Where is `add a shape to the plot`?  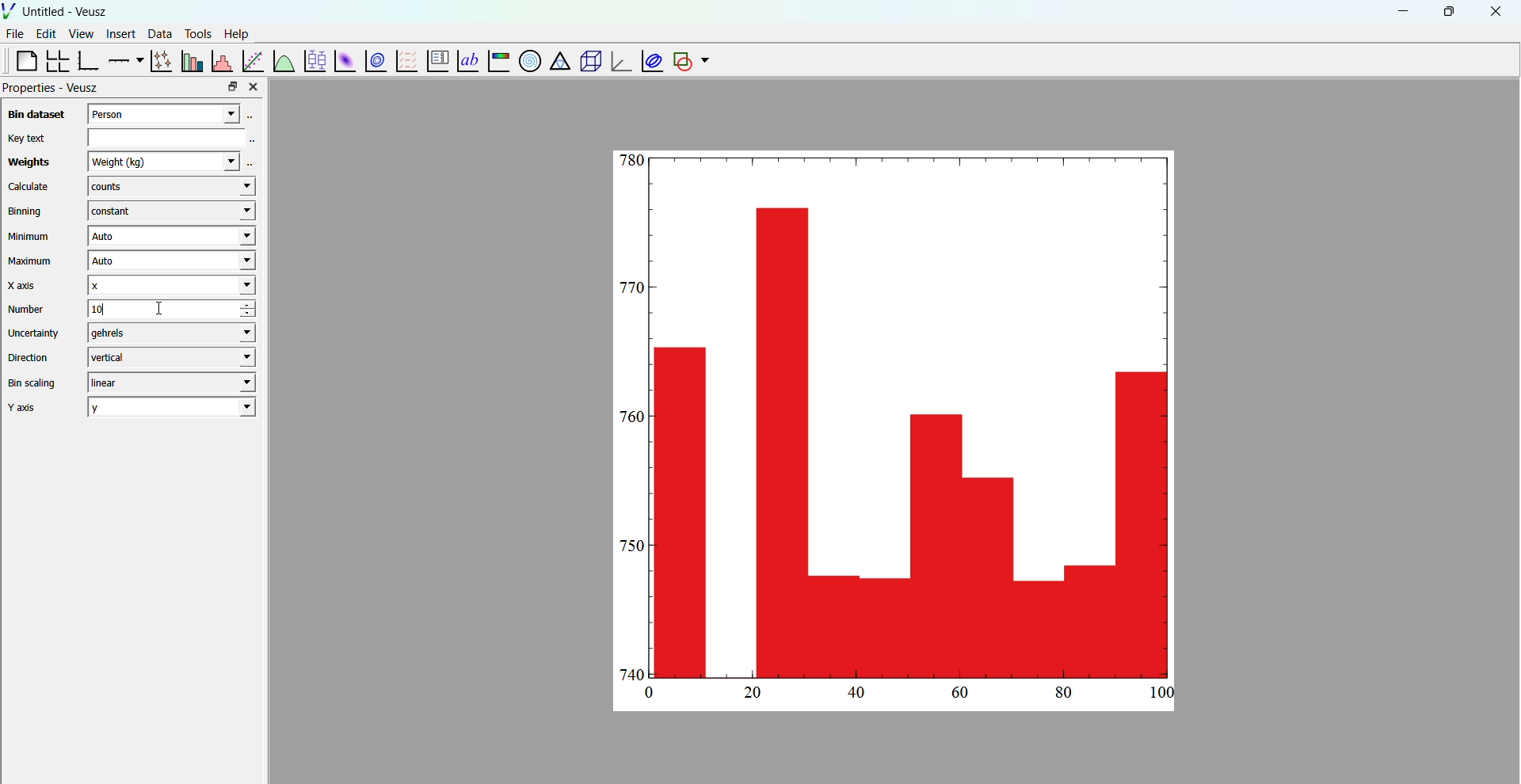 add a shape to the plot is located at coordinates (681, 61).